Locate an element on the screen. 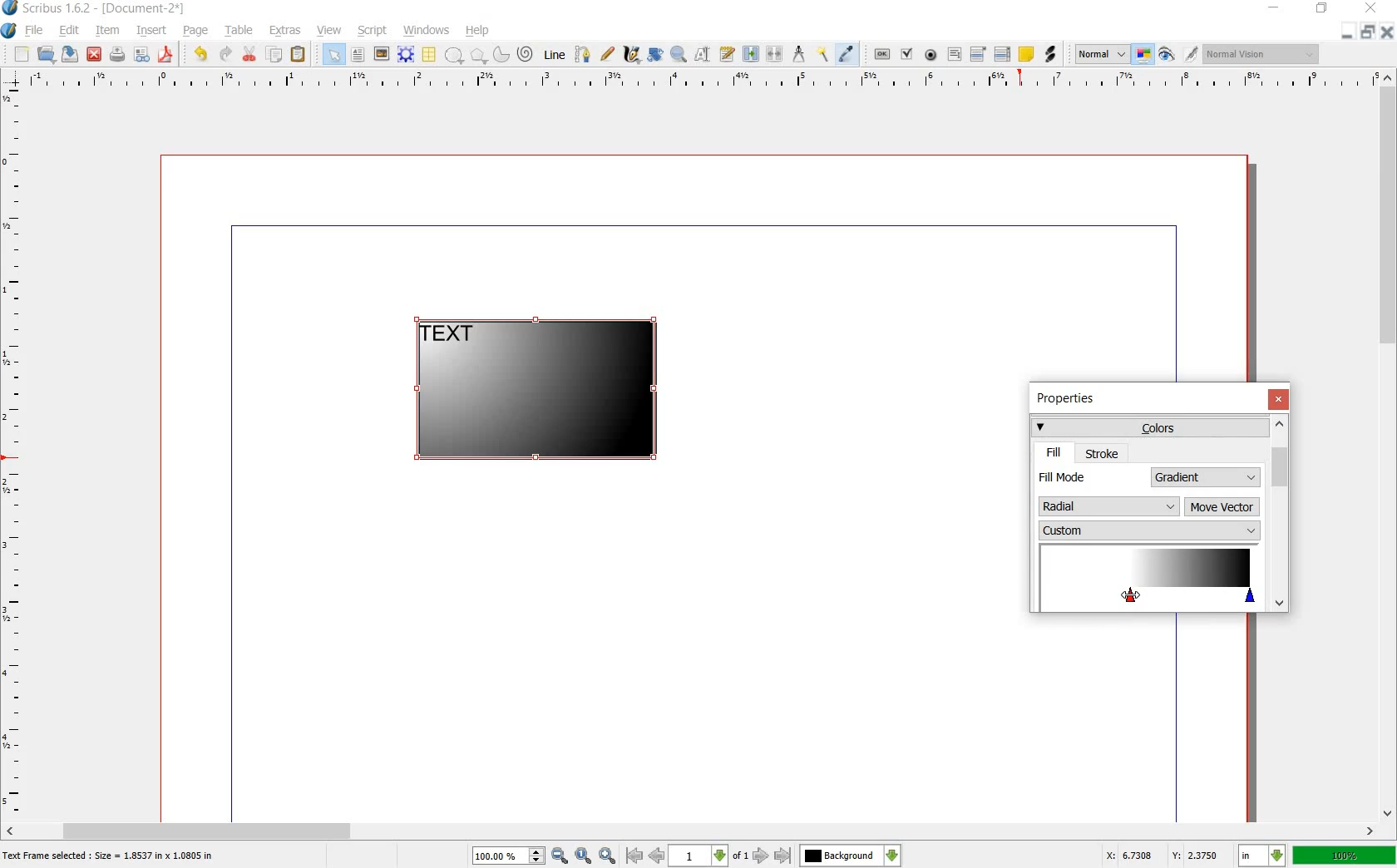 Image resolution: width=1397 pixels, height=868 pixels. print is located at coordinates (117, 55).